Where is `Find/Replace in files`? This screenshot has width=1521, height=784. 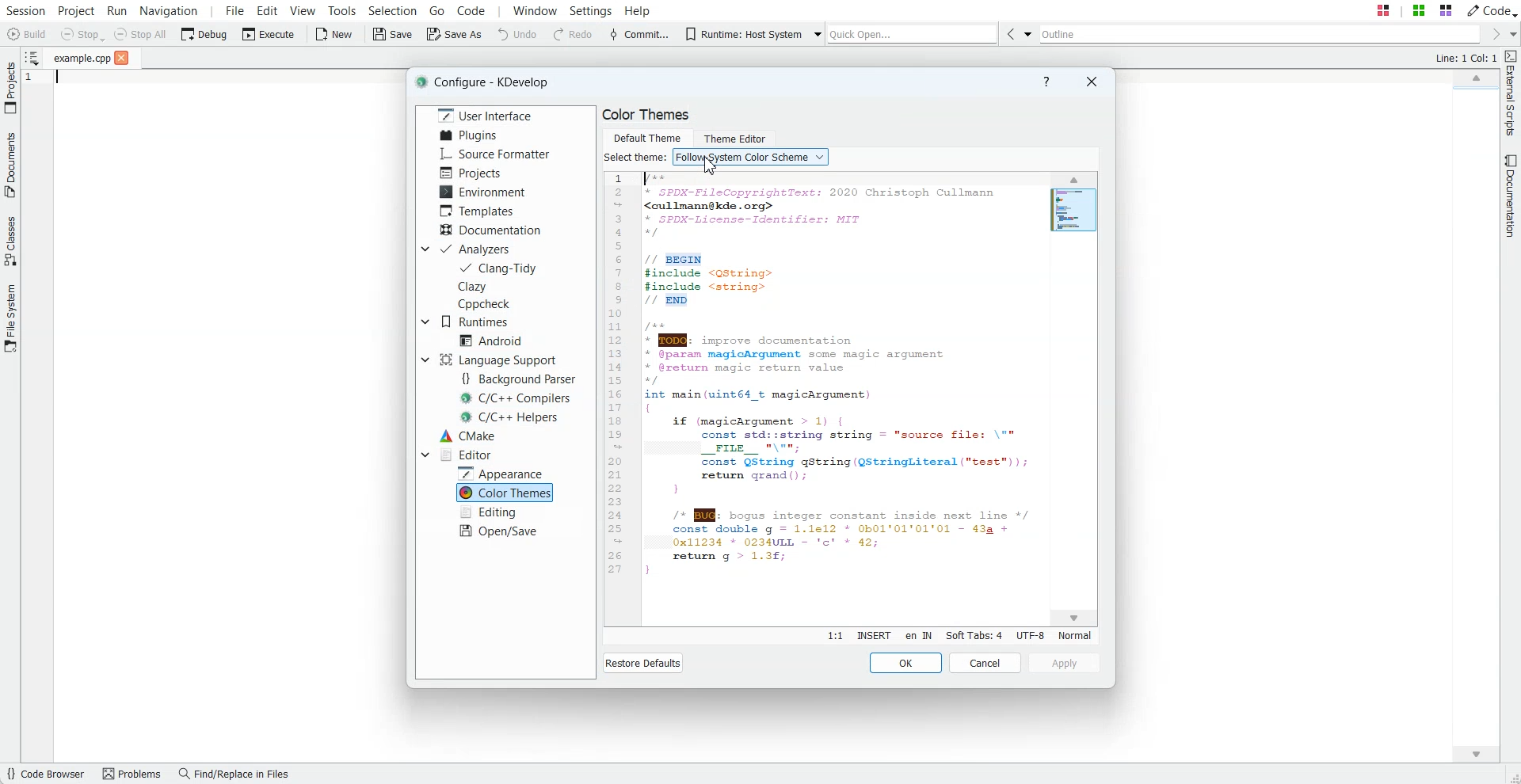 Find/Replace in files is located at coordinates (238, 774).